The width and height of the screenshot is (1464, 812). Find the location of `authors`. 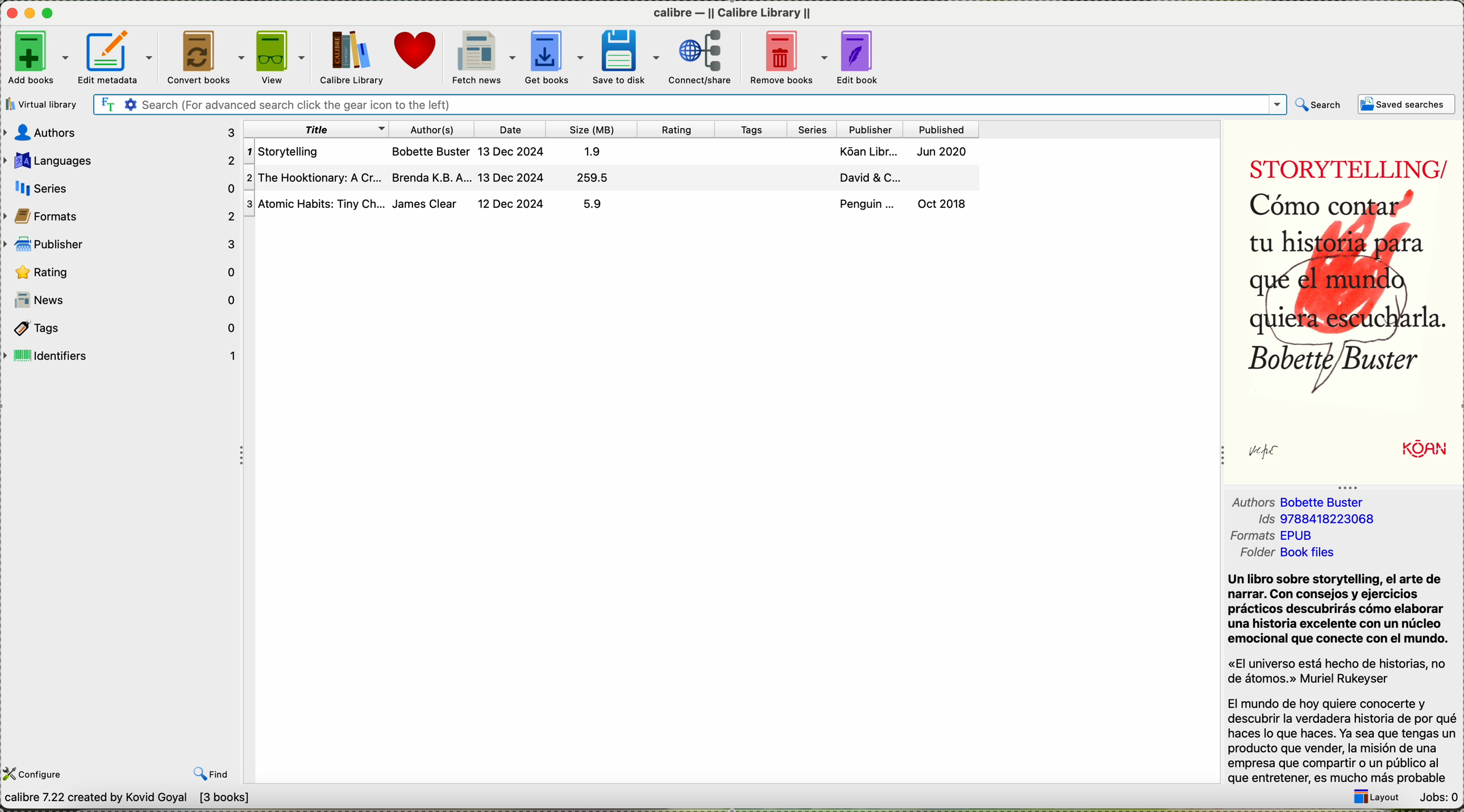

authors is located at coordinates (435, 128).